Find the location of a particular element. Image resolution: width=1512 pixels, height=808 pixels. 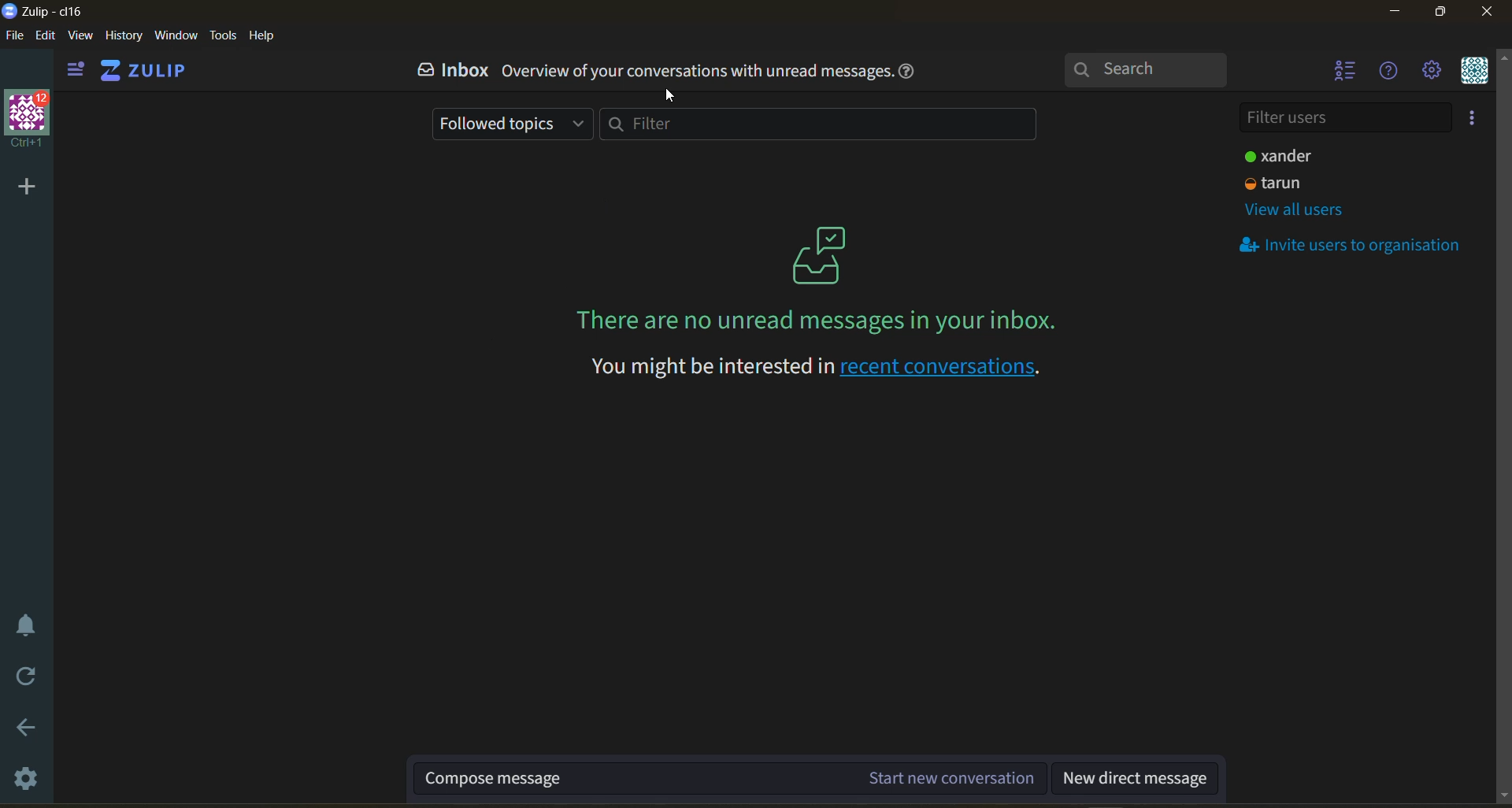

add organisation is located at coordinates (29, 187).